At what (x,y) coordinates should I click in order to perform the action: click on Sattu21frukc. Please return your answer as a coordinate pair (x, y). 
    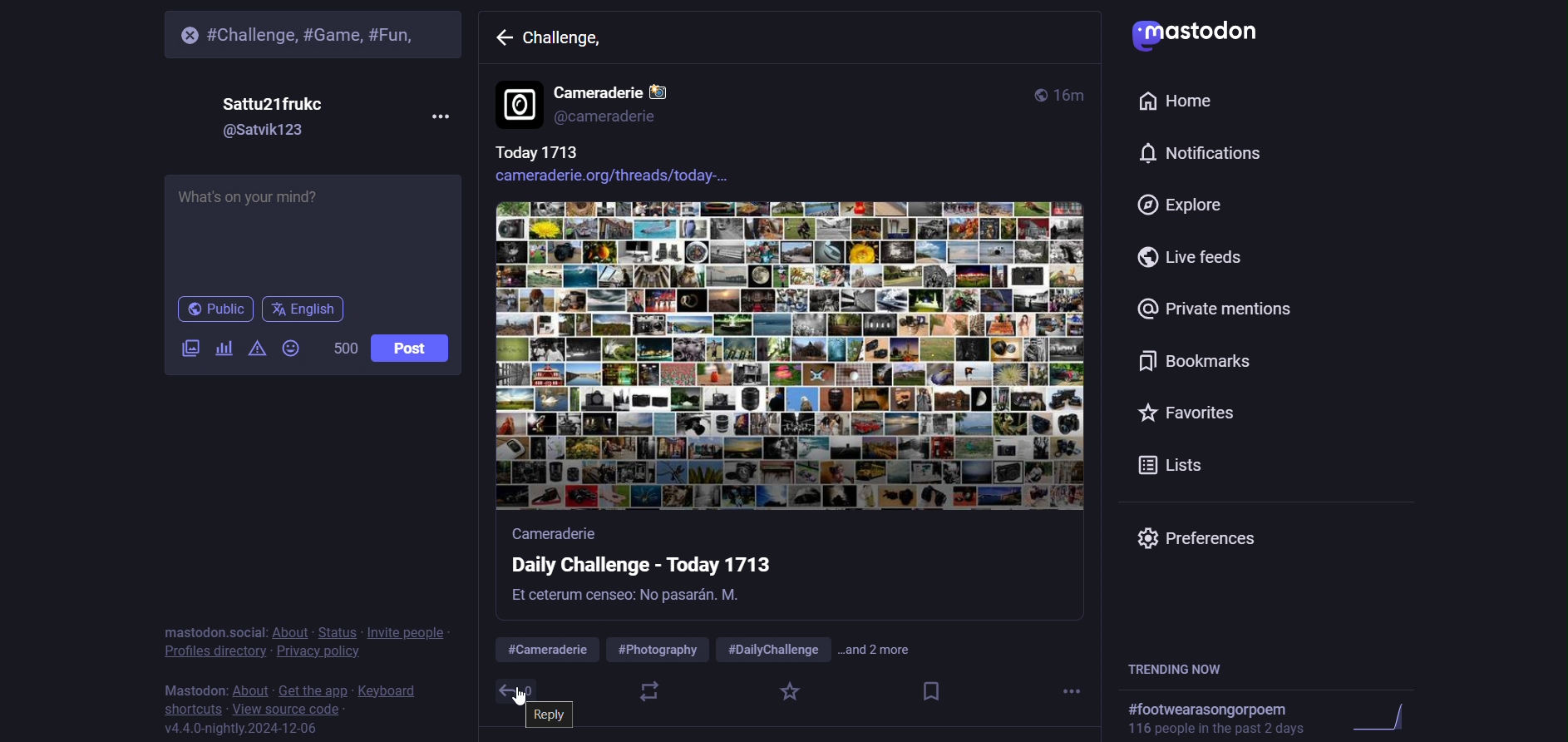
    Looking at the image, I should click on (280, 100).